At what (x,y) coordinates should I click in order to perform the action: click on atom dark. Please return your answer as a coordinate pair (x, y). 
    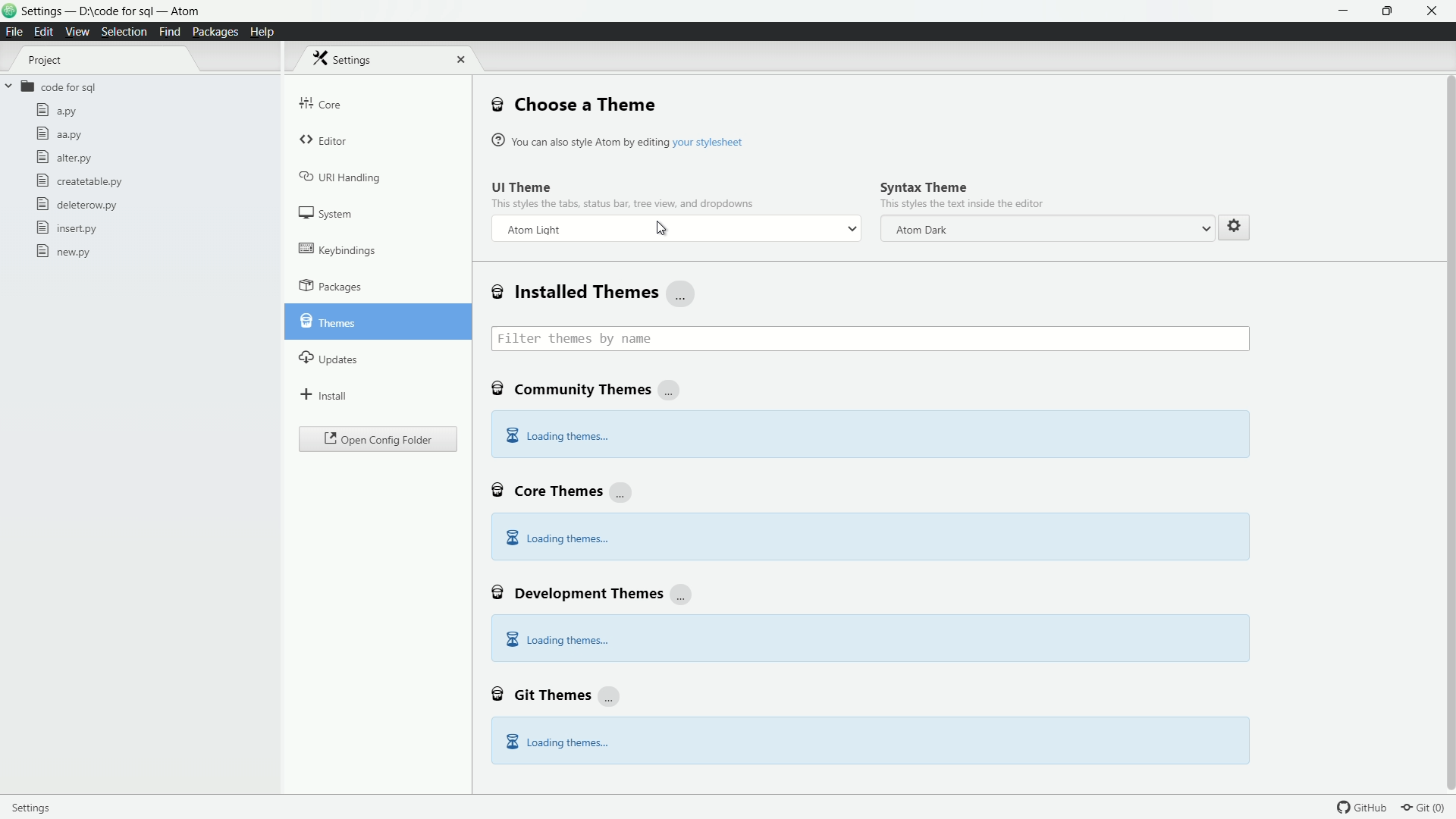
    Looking at the image, I should click on (919, 230).